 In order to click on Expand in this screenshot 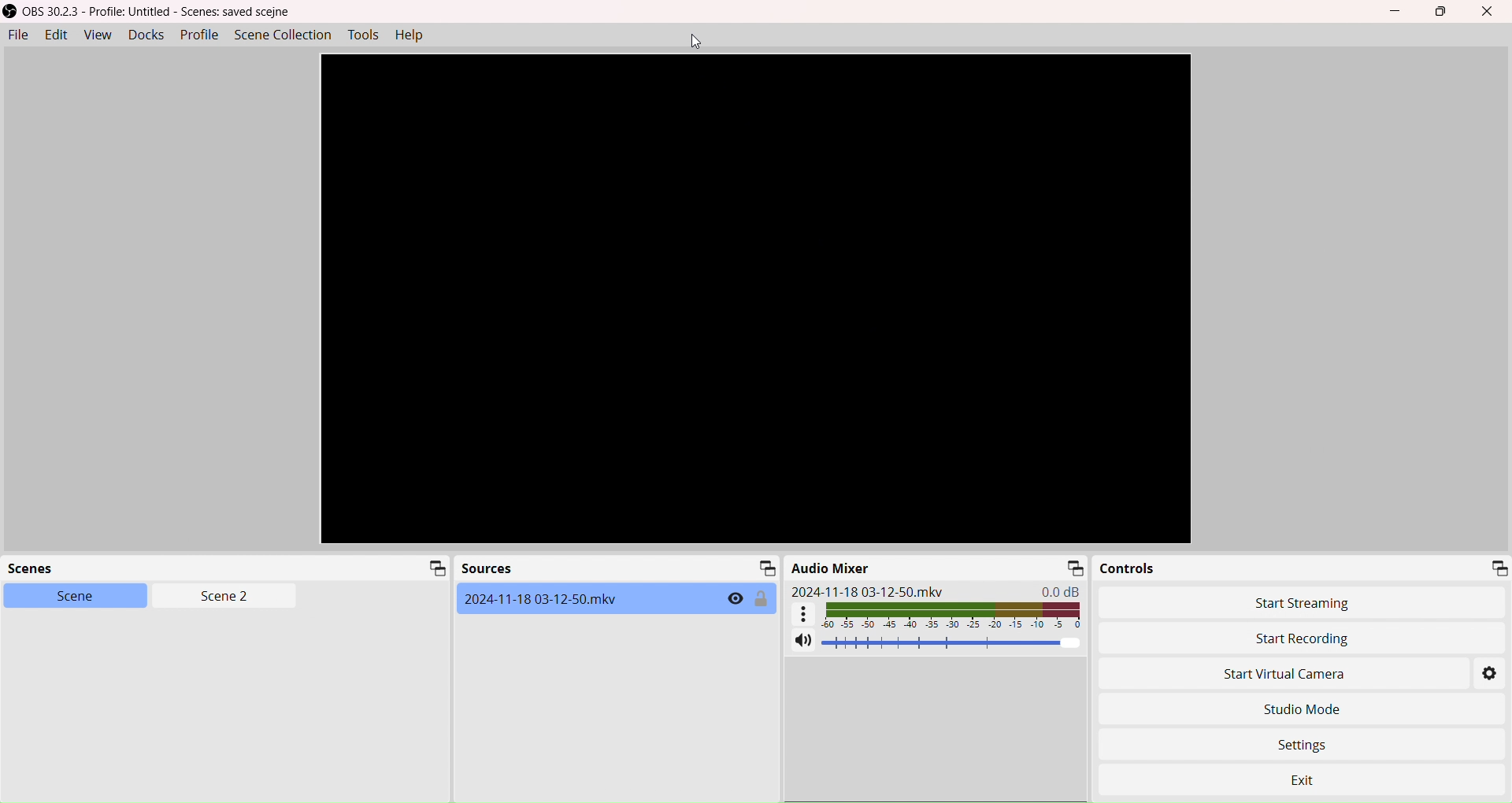, I will do `click(1073, 568)`.